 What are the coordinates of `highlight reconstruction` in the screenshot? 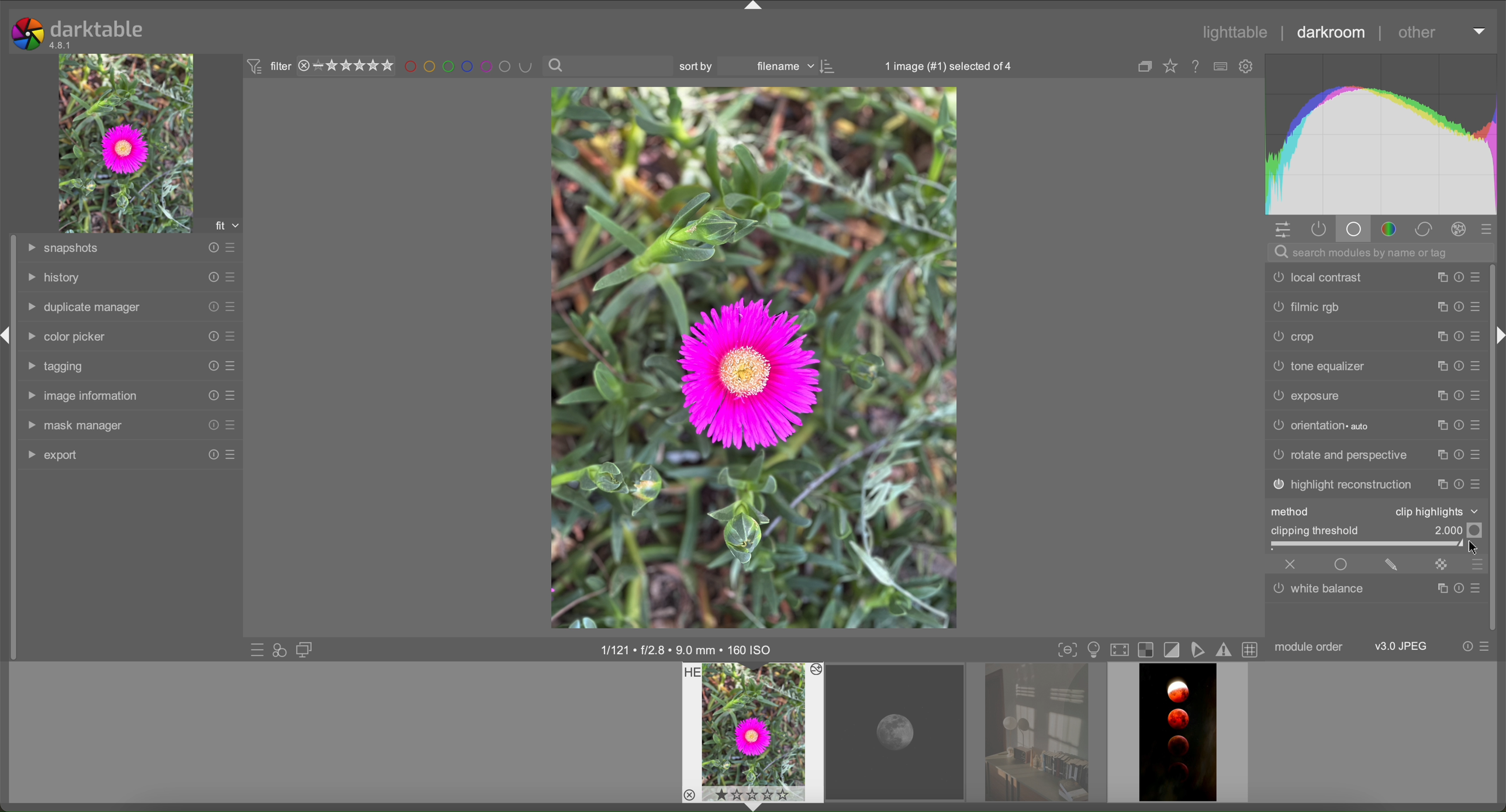 It's located at (1341, 485).